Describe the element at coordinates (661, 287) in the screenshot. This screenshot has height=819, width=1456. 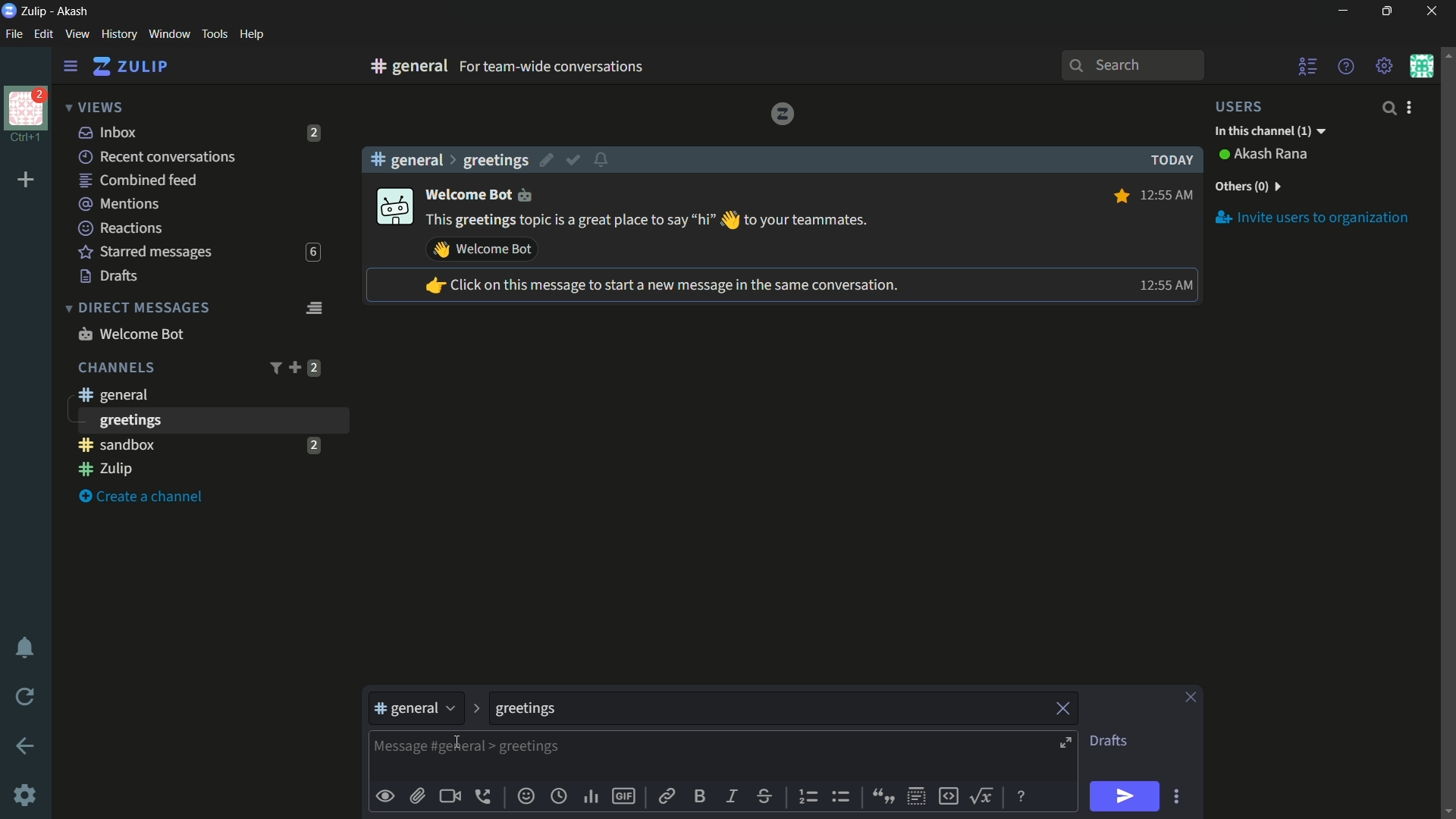
I see `Click on this message to start a new message in the same conversation` at that location.